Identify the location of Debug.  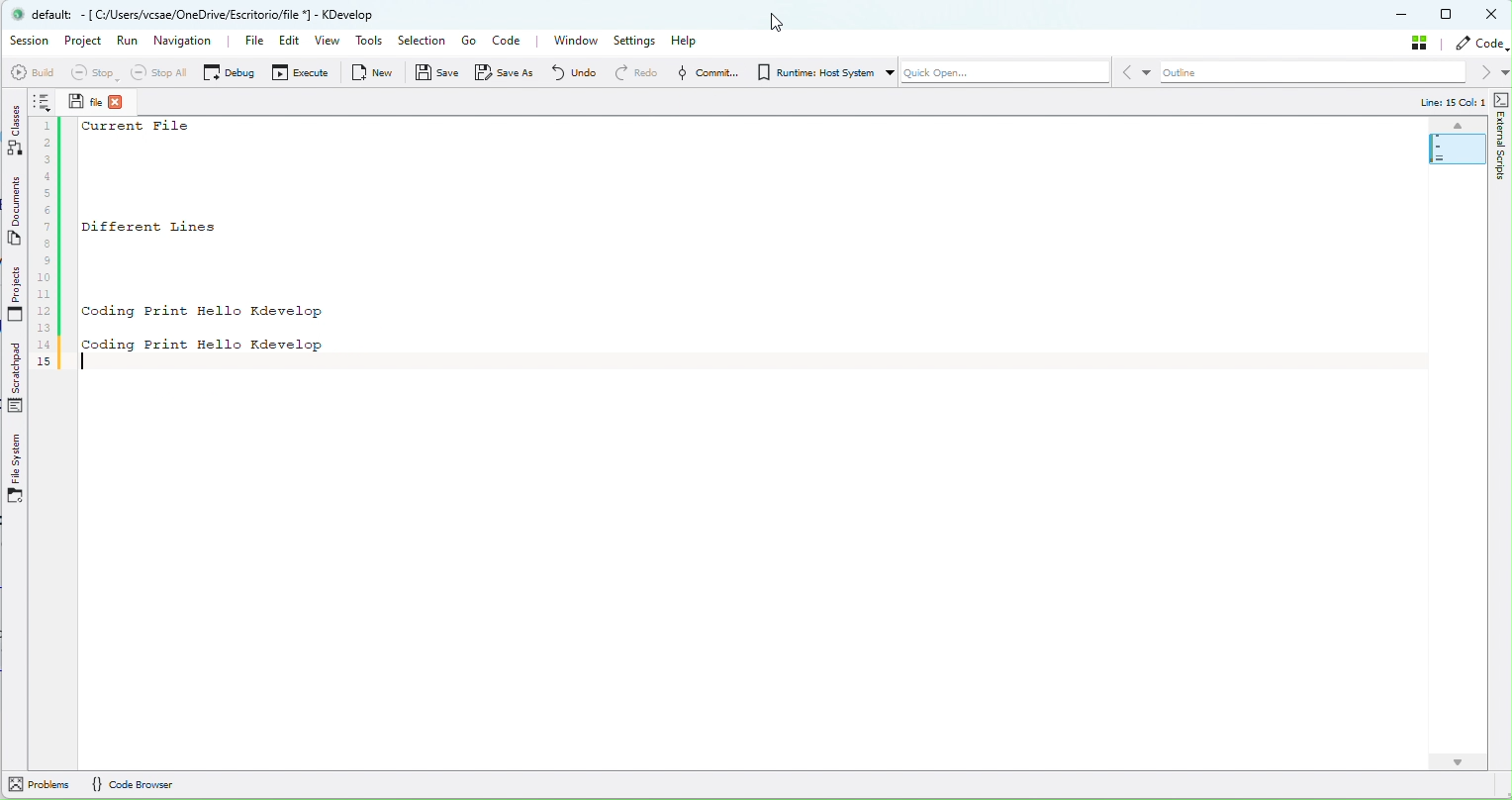
(229, 71).